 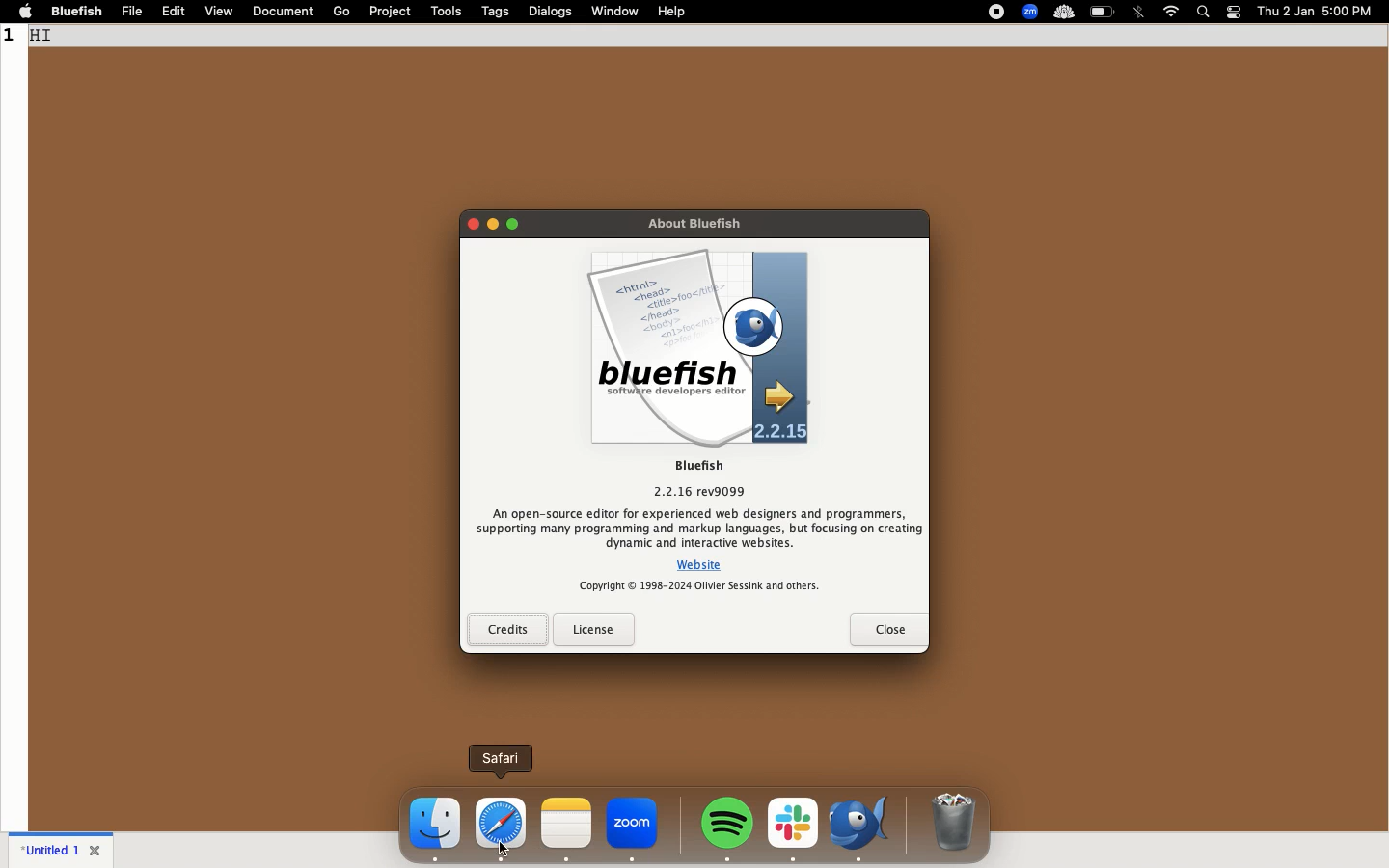 What do you see at coordinates (52, 35) in the screenshot?
I see `HI` at bounding box center [52, 35].